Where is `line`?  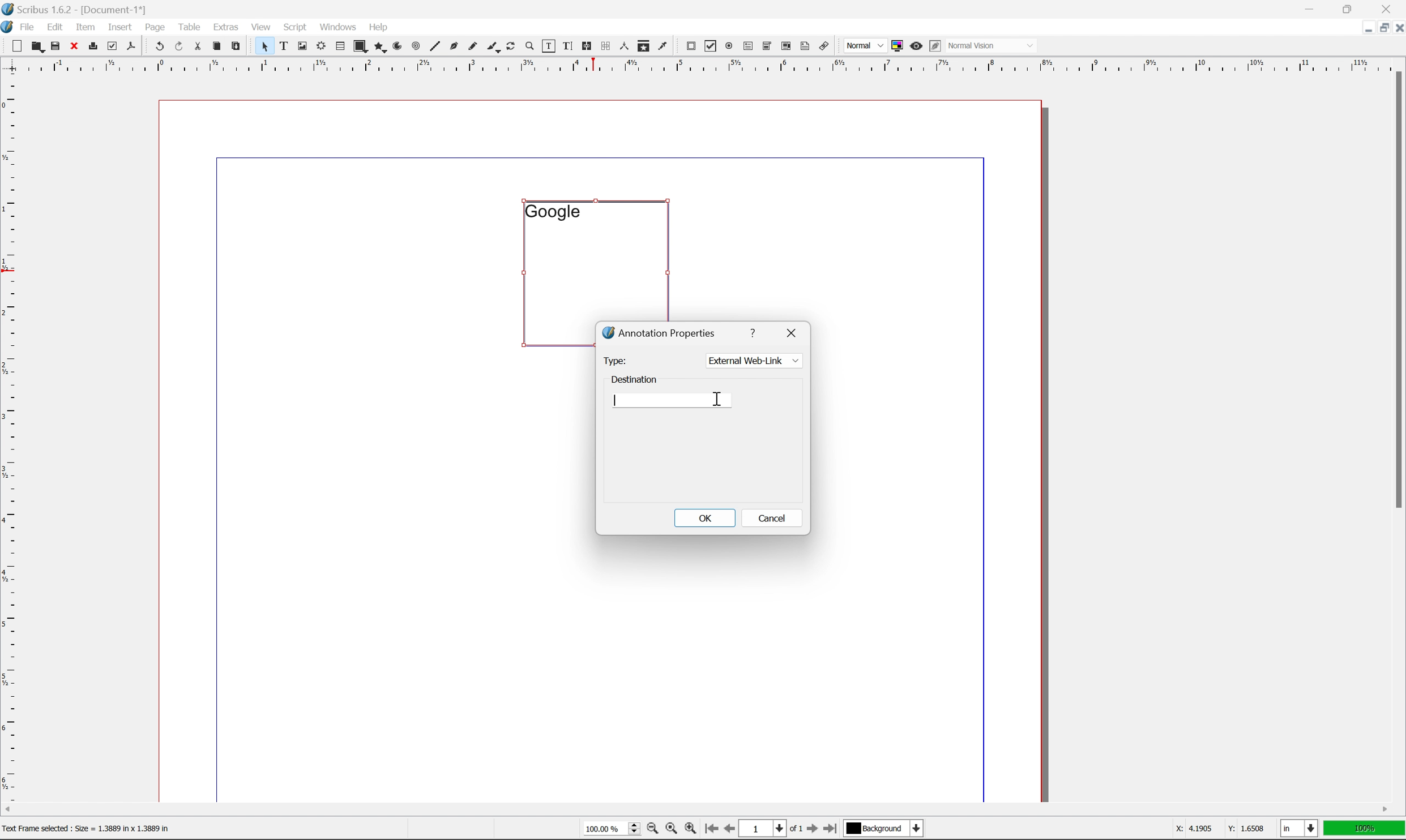
line is located at coordinates (435, 47).